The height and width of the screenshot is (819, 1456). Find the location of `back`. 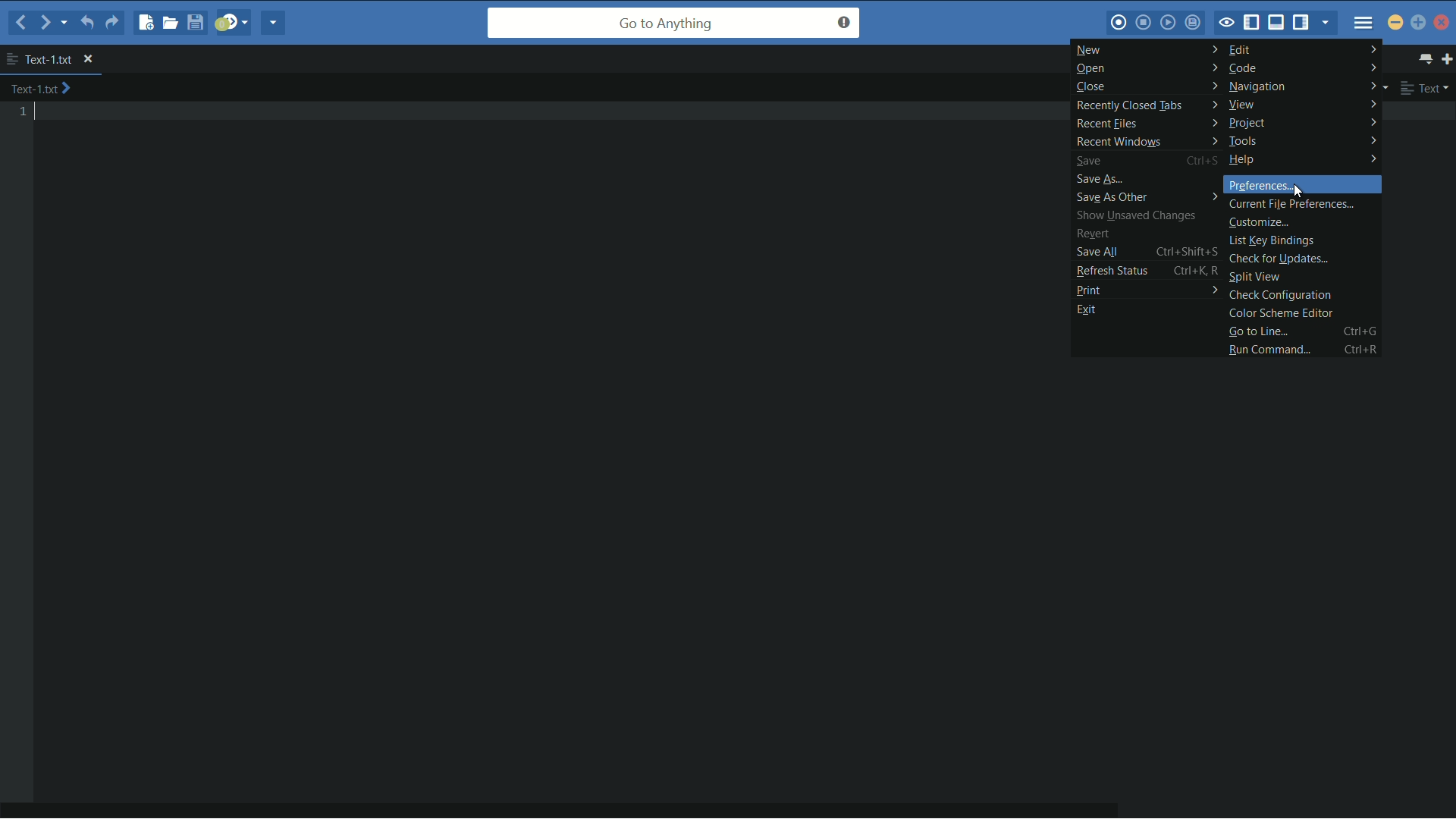

back is located at coordinates (21, 22).